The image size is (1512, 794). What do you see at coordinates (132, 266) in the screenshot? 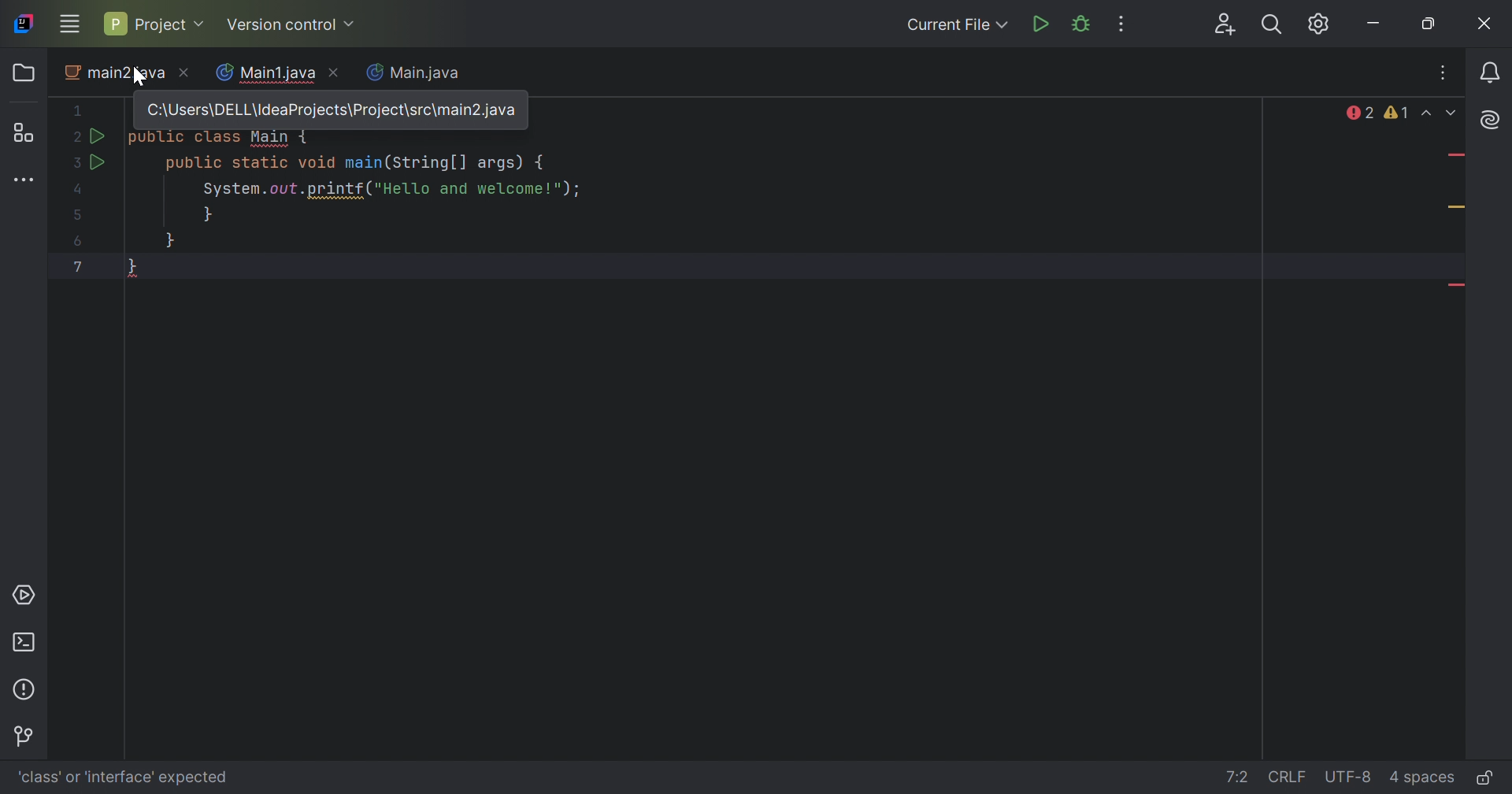
I see `}` at bounding box center [132, 266].